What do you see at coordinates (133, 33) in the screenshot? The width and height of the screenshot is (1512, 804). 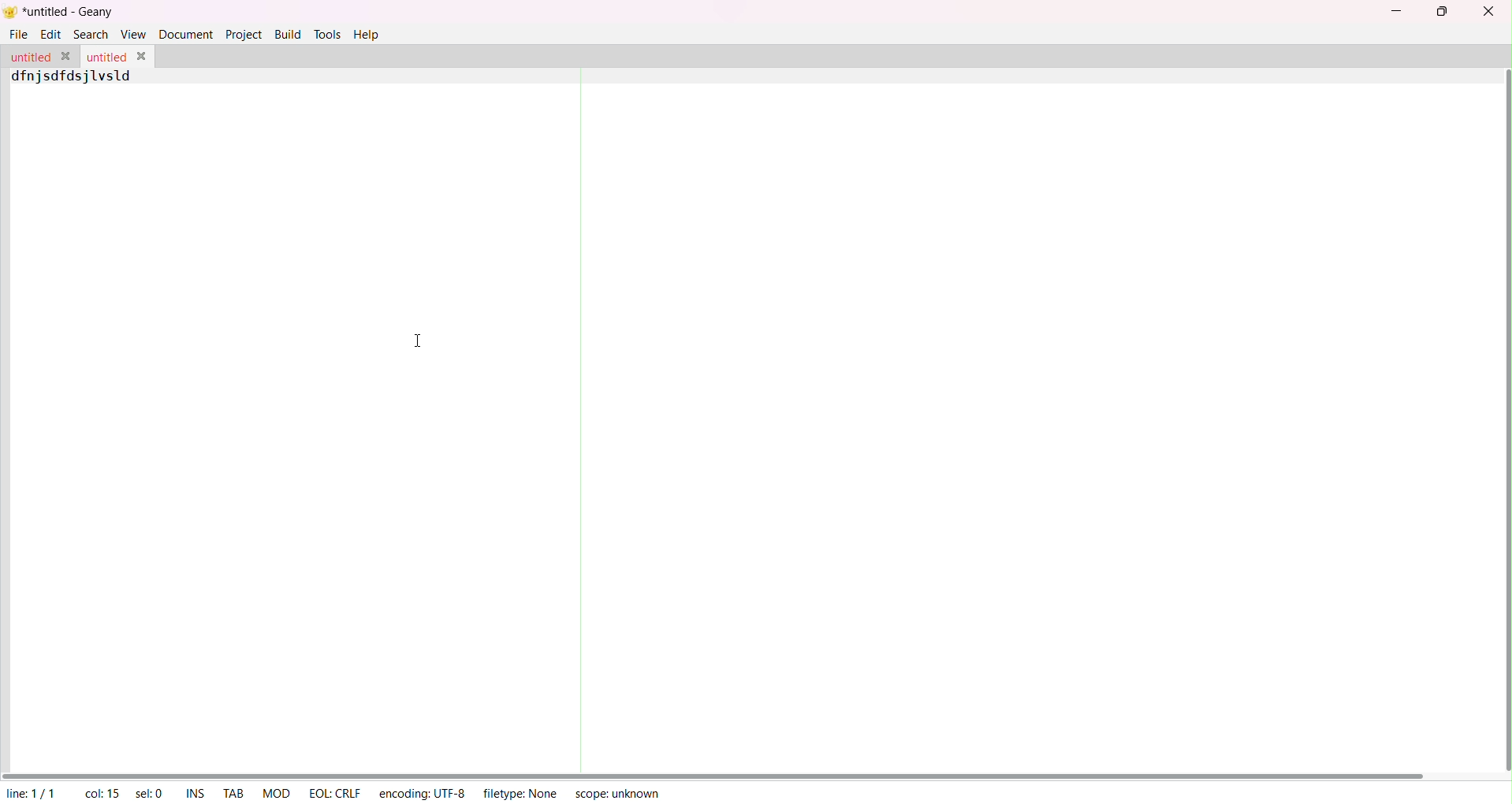 I see `view` at bounding box center [133, 33].